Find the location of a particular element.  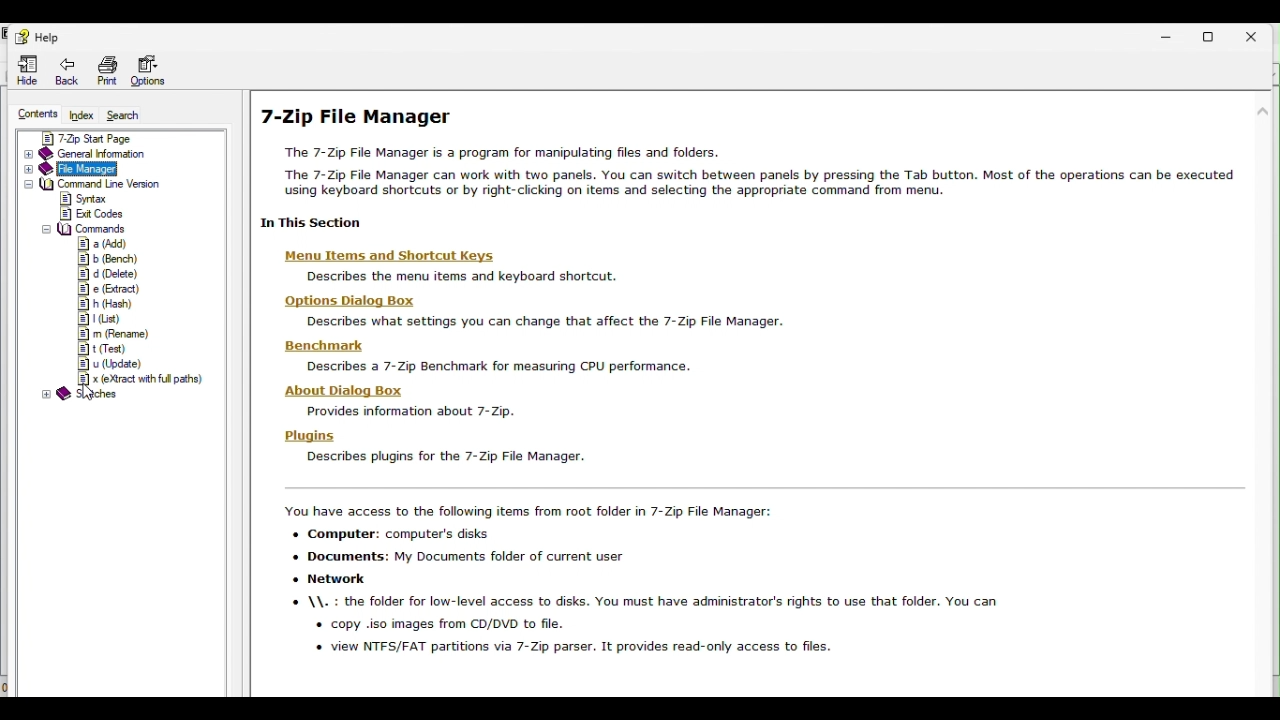

a (Add) is located at coordinates (109, 242).